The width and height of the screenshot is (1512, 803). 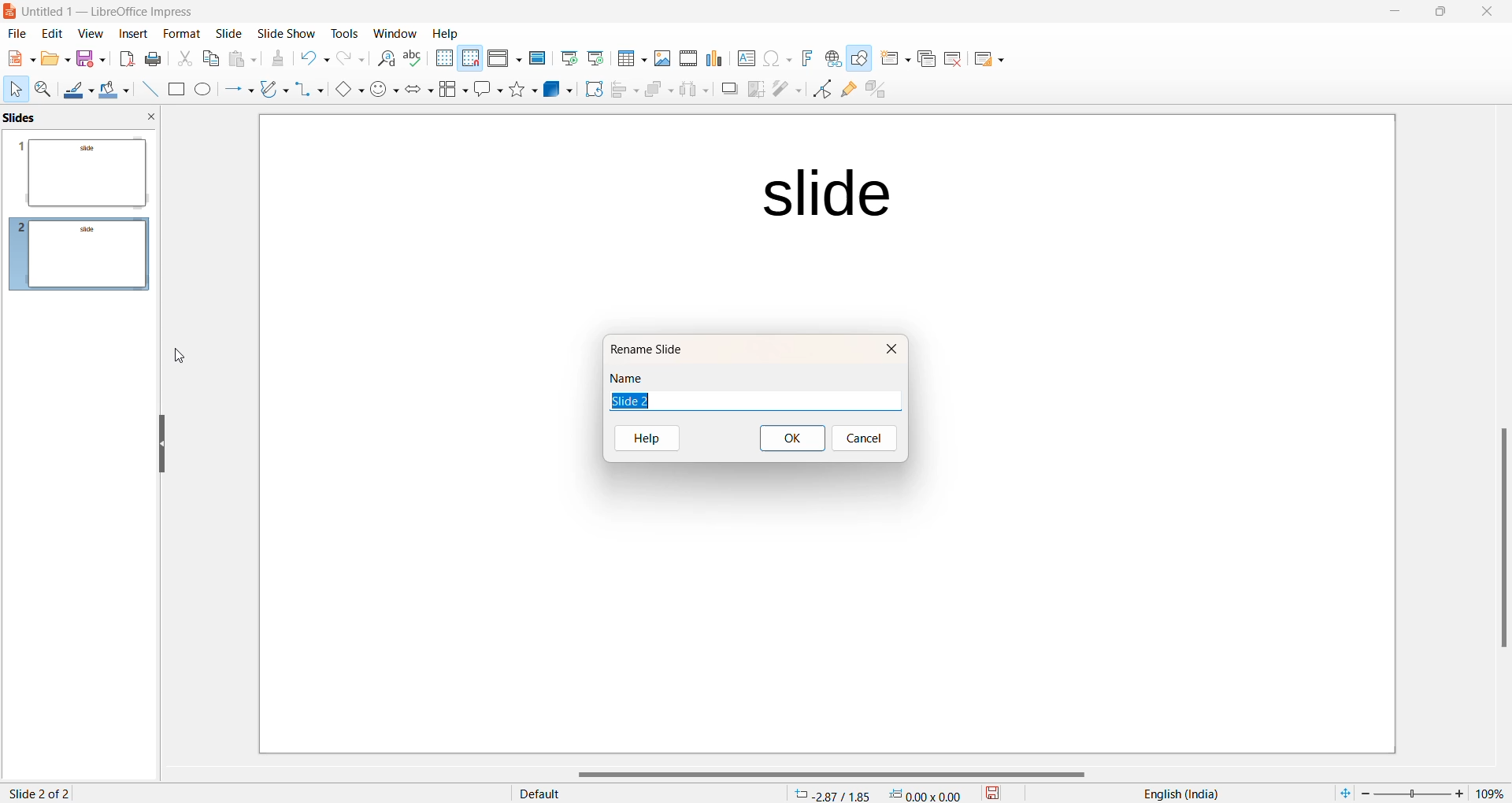 What do you see at coordinates (177, 31) in the screenshot?
I see `Format` at bounding box center [177, 31].